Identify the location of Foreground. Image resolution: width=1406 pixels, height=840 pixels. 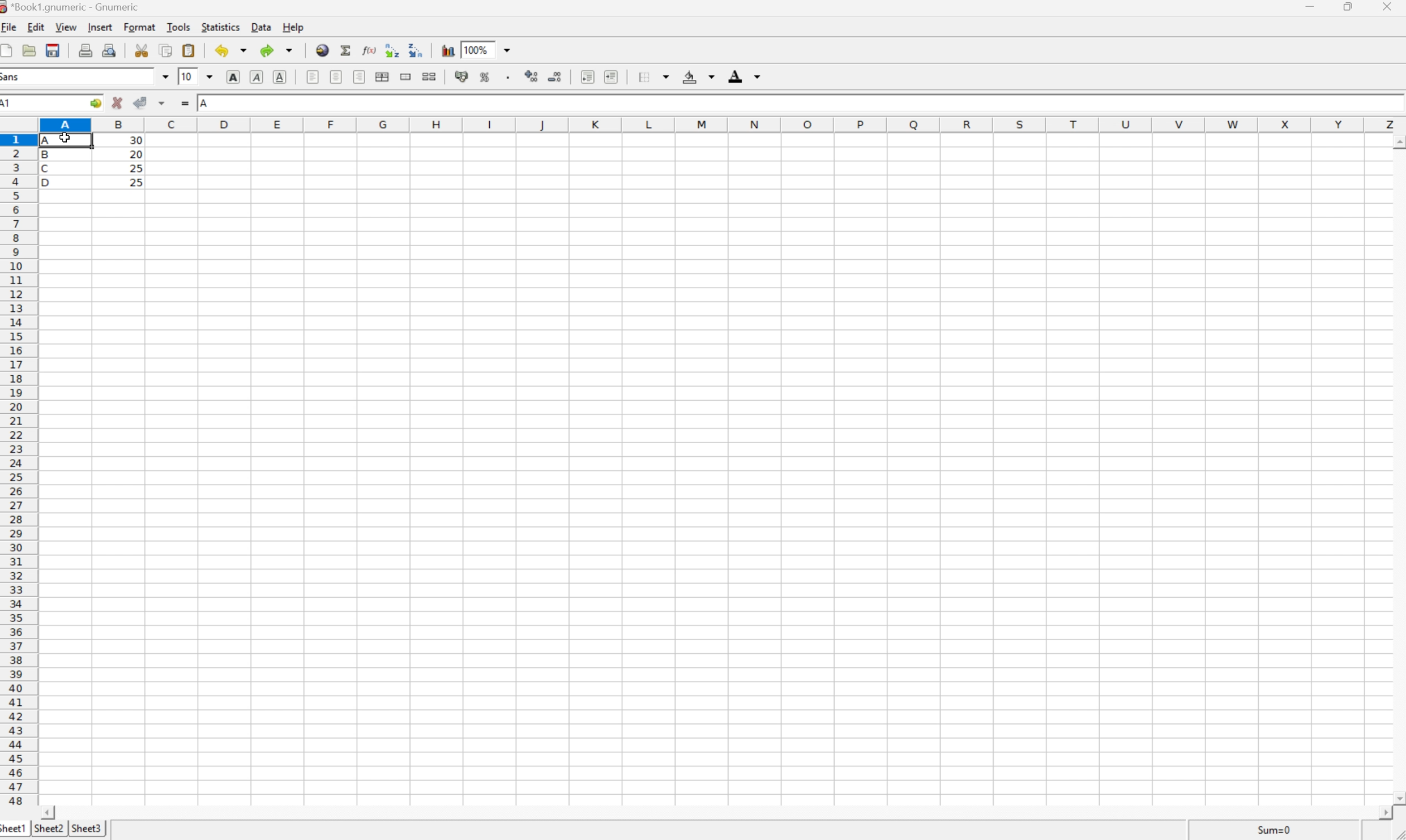
(746, 76).